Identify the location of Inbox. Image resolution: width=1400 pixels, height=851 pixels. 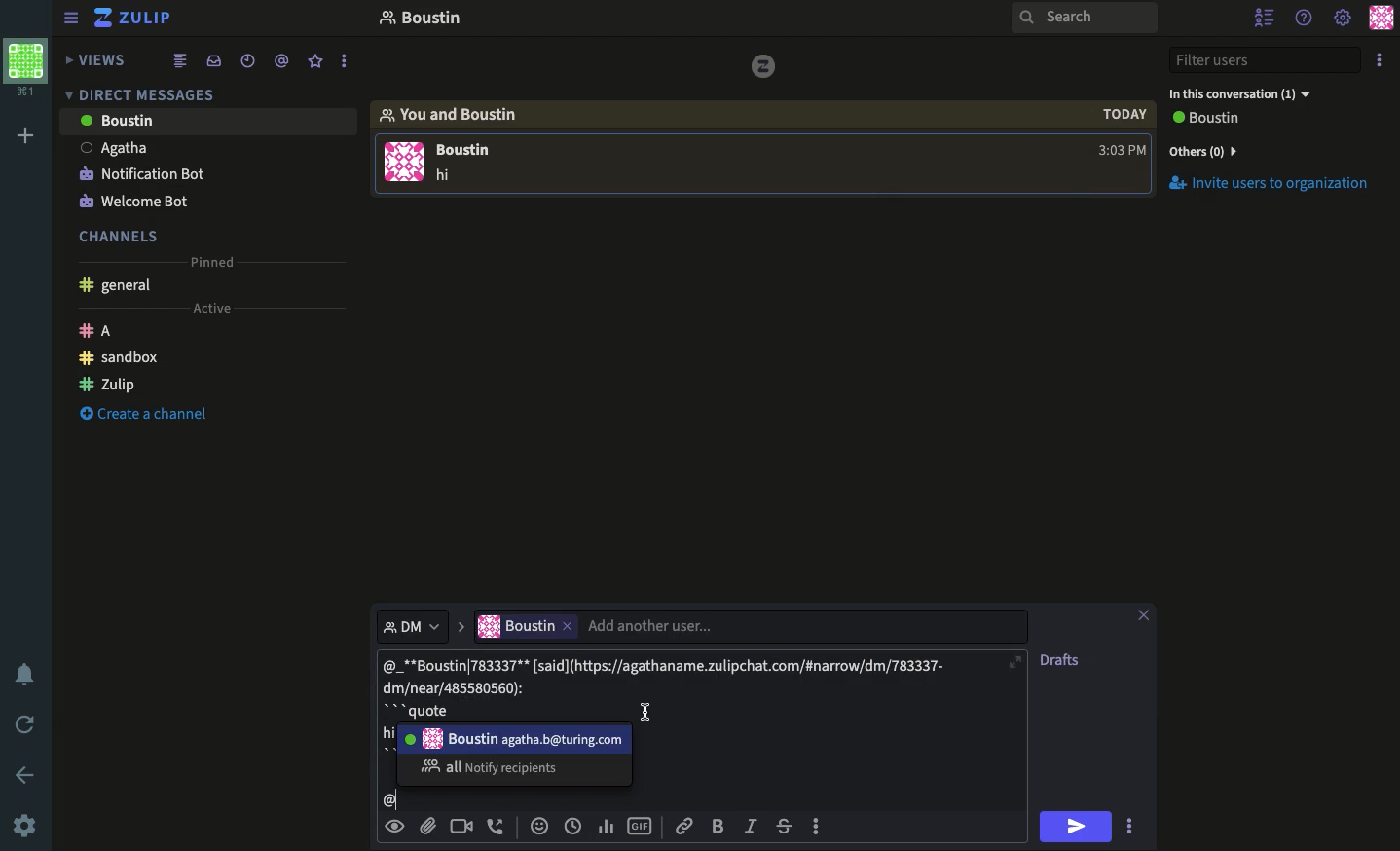
(217, 62).